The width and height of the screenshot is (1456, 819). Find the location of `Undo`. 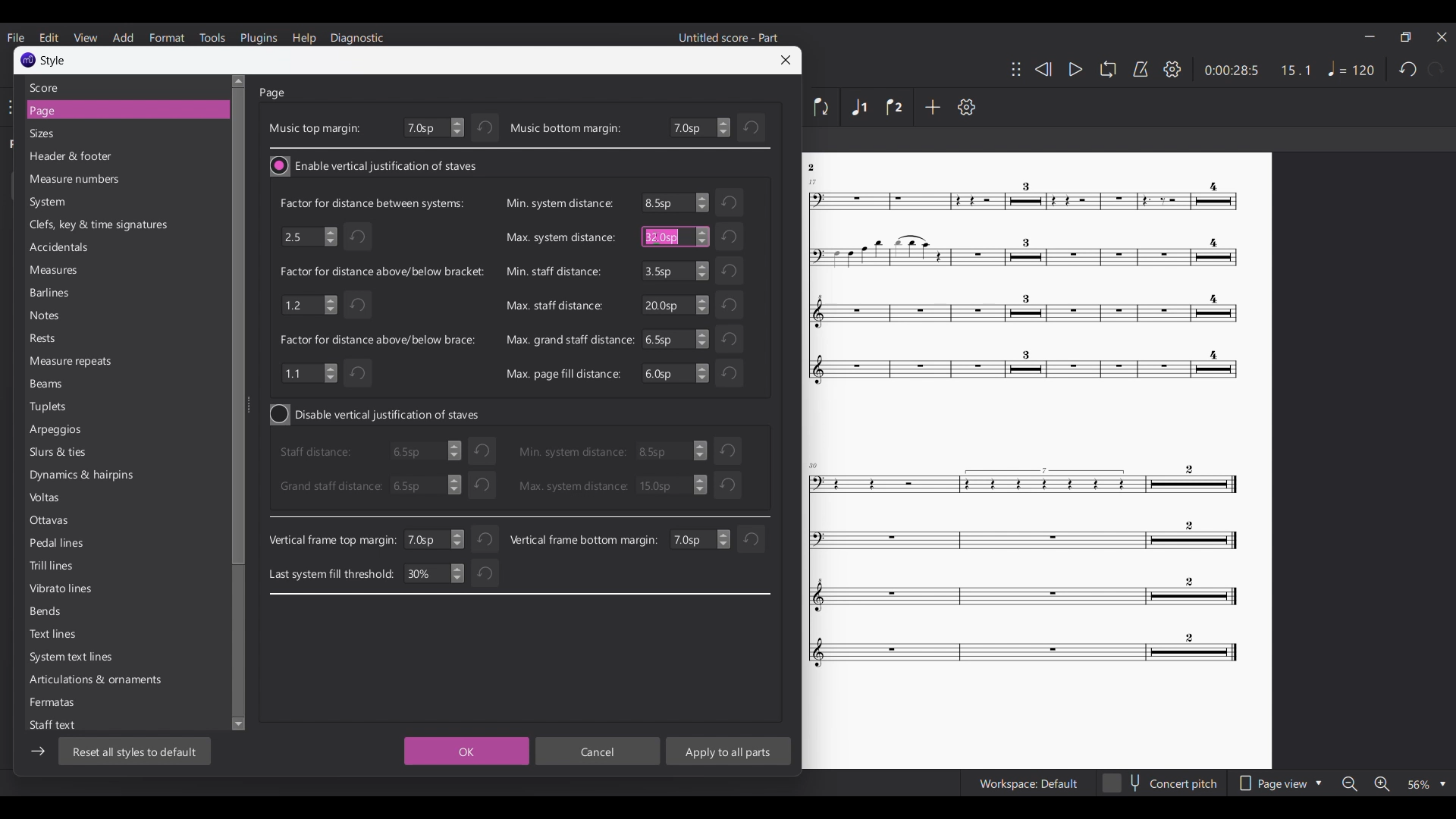

Undo is located at coordinates (730, 485).